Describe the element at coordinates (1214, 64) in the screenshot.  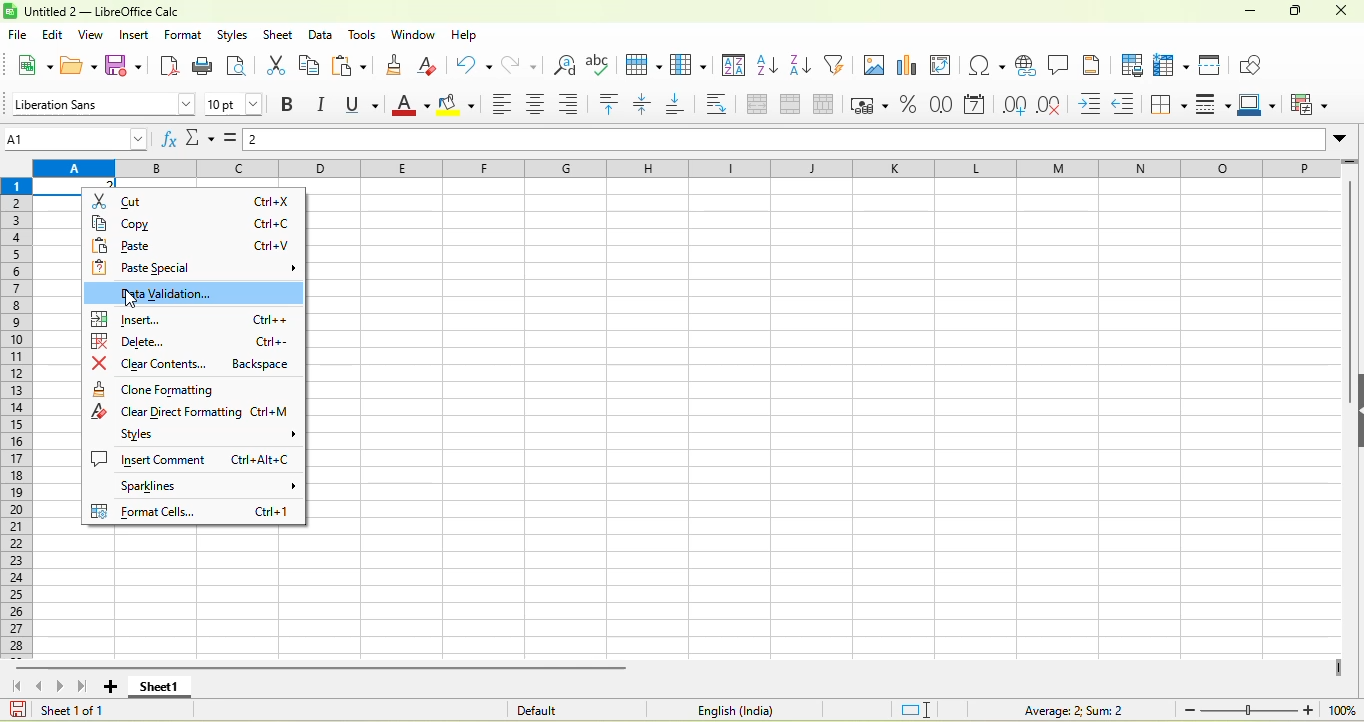
I see `split window` at that location.